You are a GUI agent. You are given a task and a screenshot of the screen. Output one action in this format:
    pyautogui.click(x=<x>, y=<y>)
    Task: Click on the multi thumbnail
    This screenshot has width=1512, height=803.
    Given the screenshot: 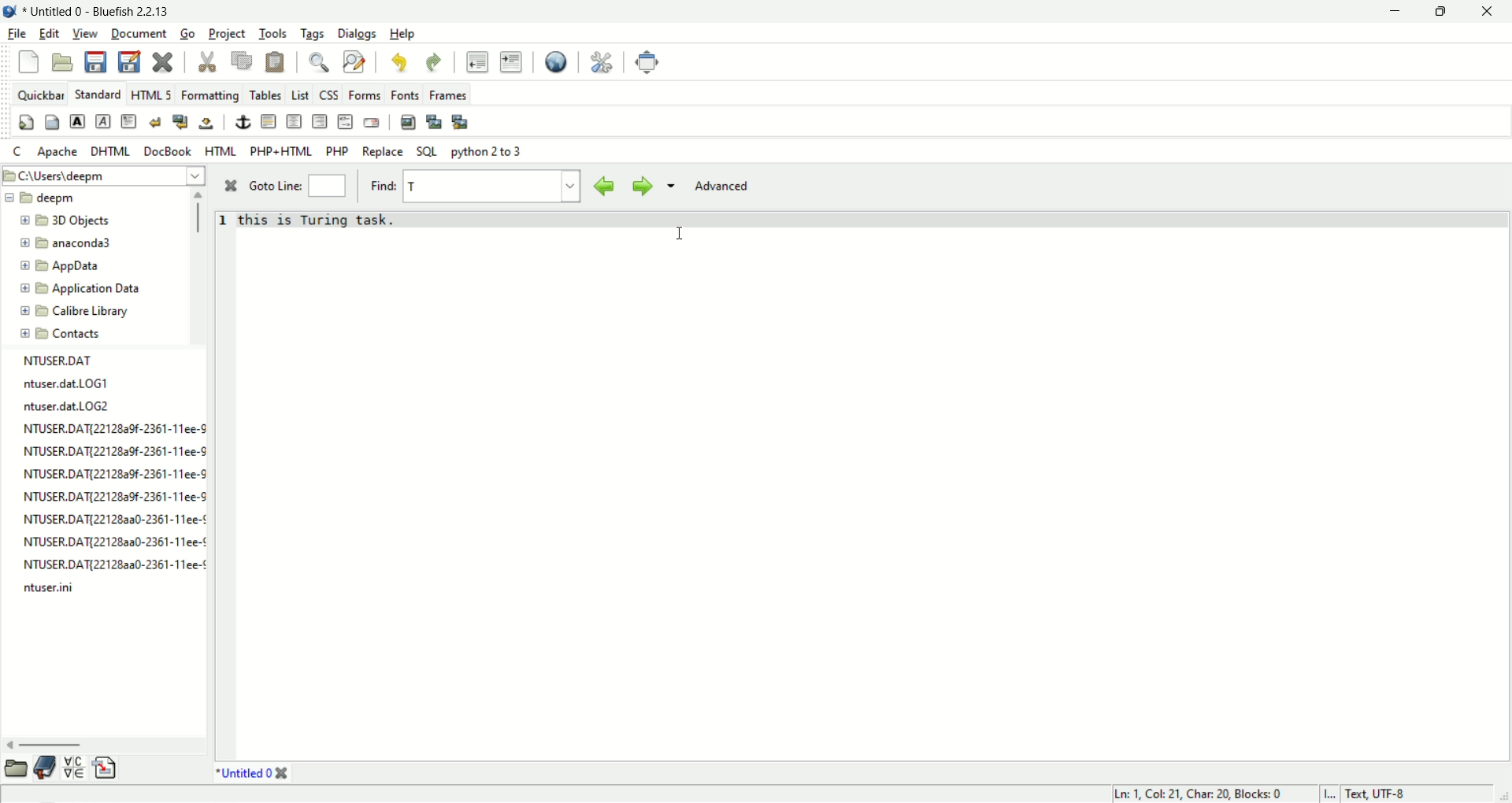 What is the action you would take?
    pyautogui.click(x=461, y=123)
    